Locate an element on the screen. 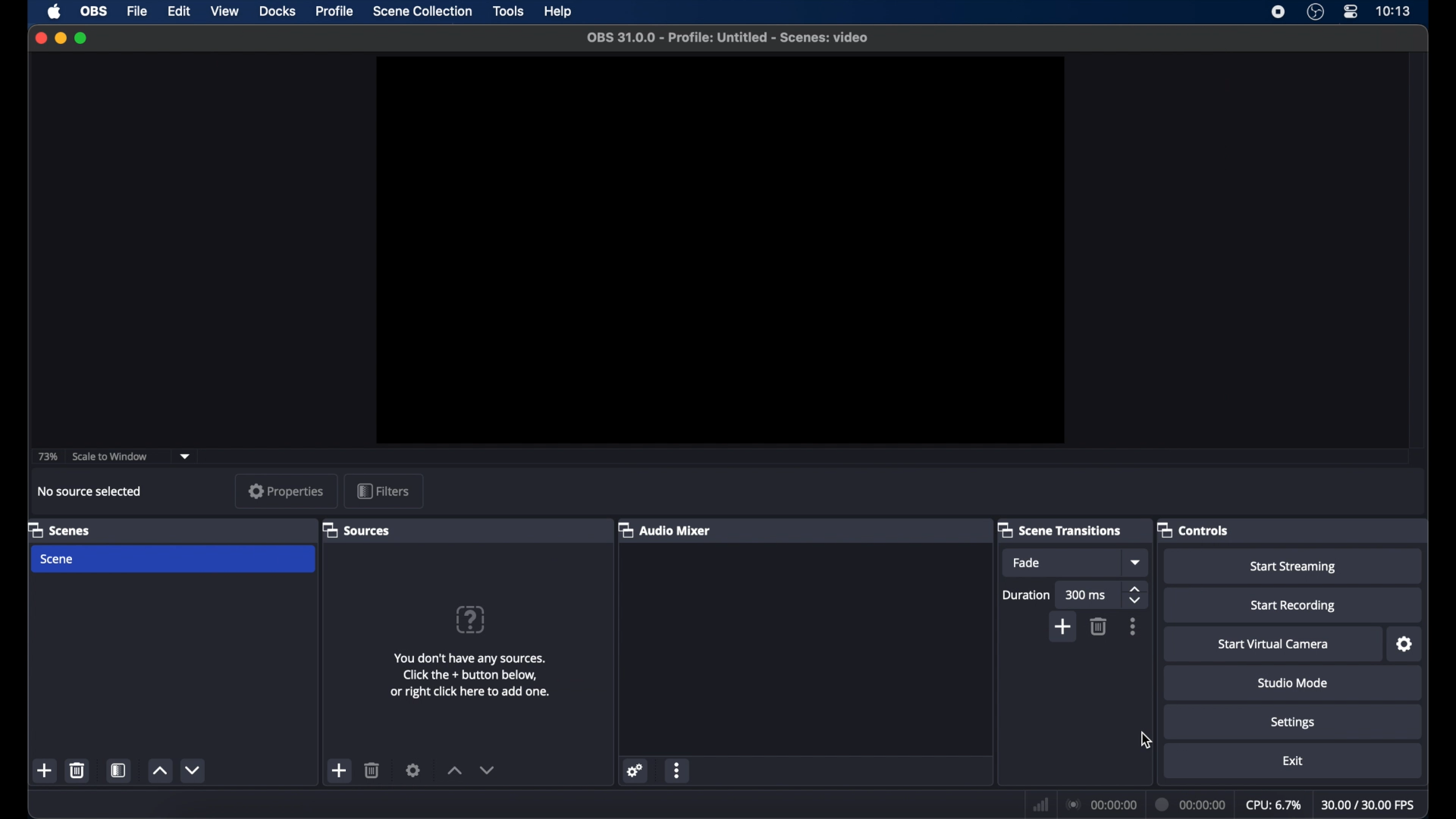 This screenshot has width=1456, height=819. network is located at coordinates (1040, 803).